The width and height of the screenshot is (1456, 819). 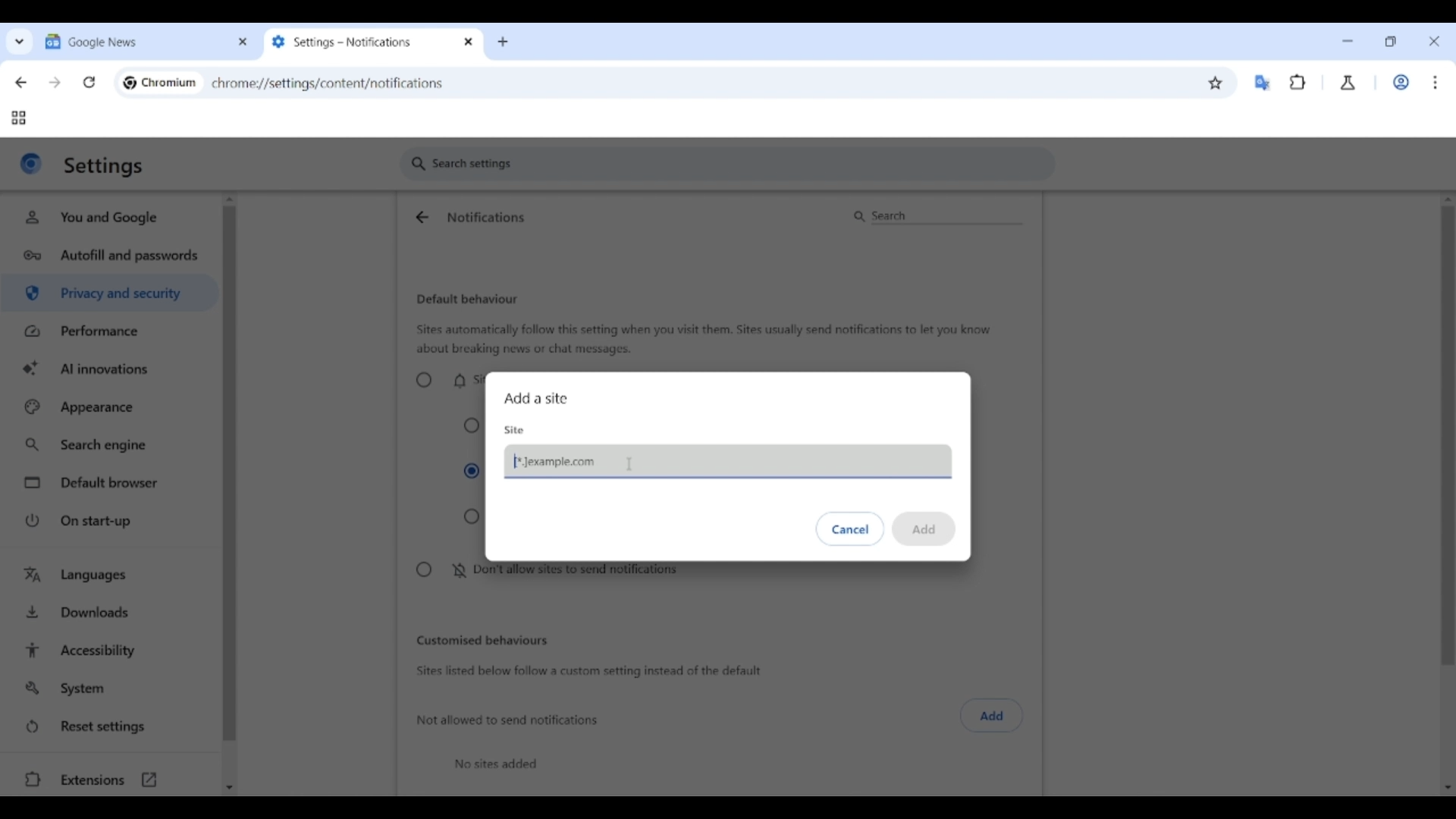 What do you see at coordinates (472, 426) in the screenshot?
I see `Collapse all requests in the address bar` at bounding box center [472, 426].